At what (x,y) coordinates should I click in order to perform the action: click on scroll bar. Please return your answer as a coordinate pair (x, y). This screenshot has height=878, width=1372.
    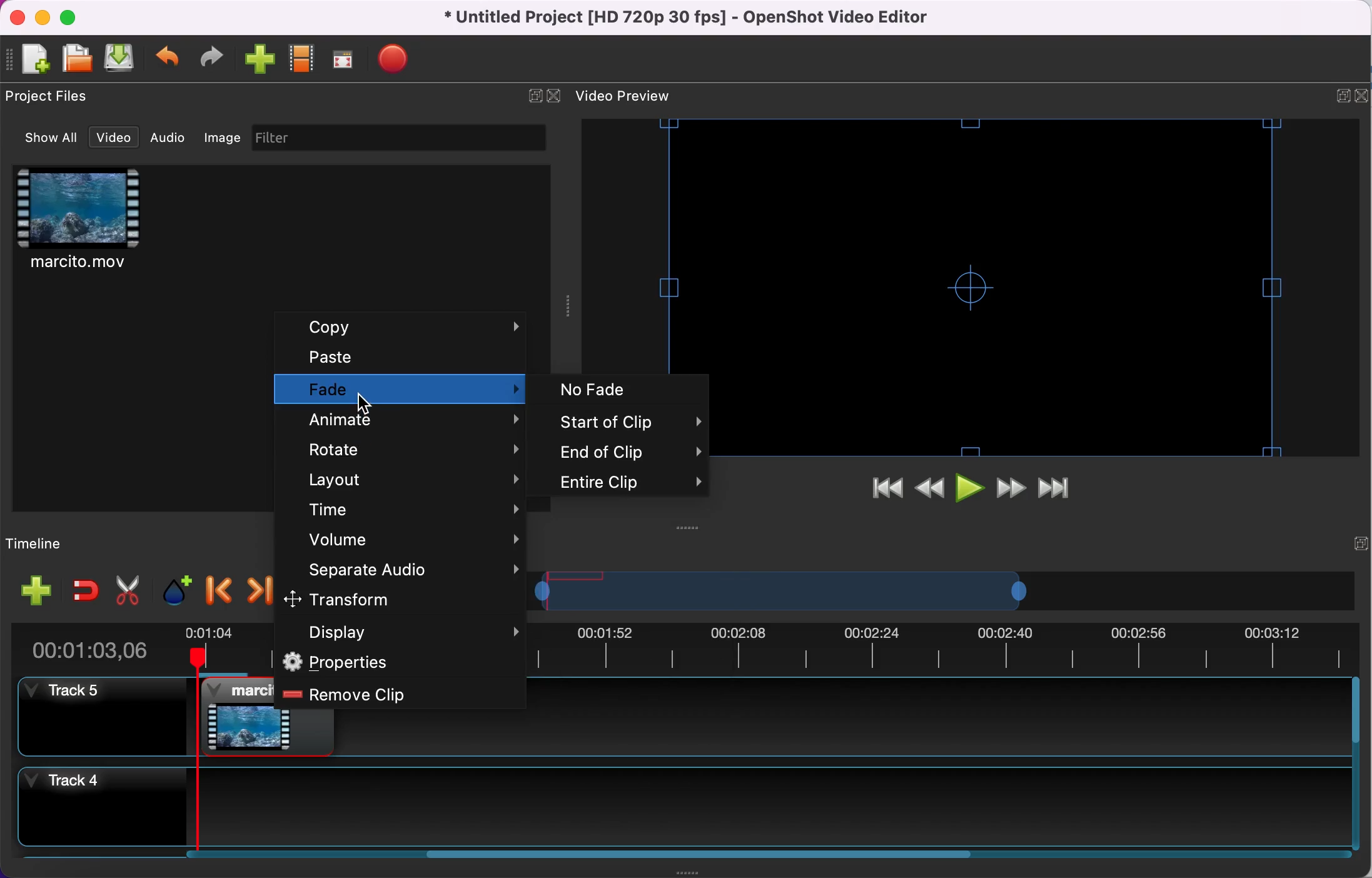
    Looking at the image, I should click on (722, 856).